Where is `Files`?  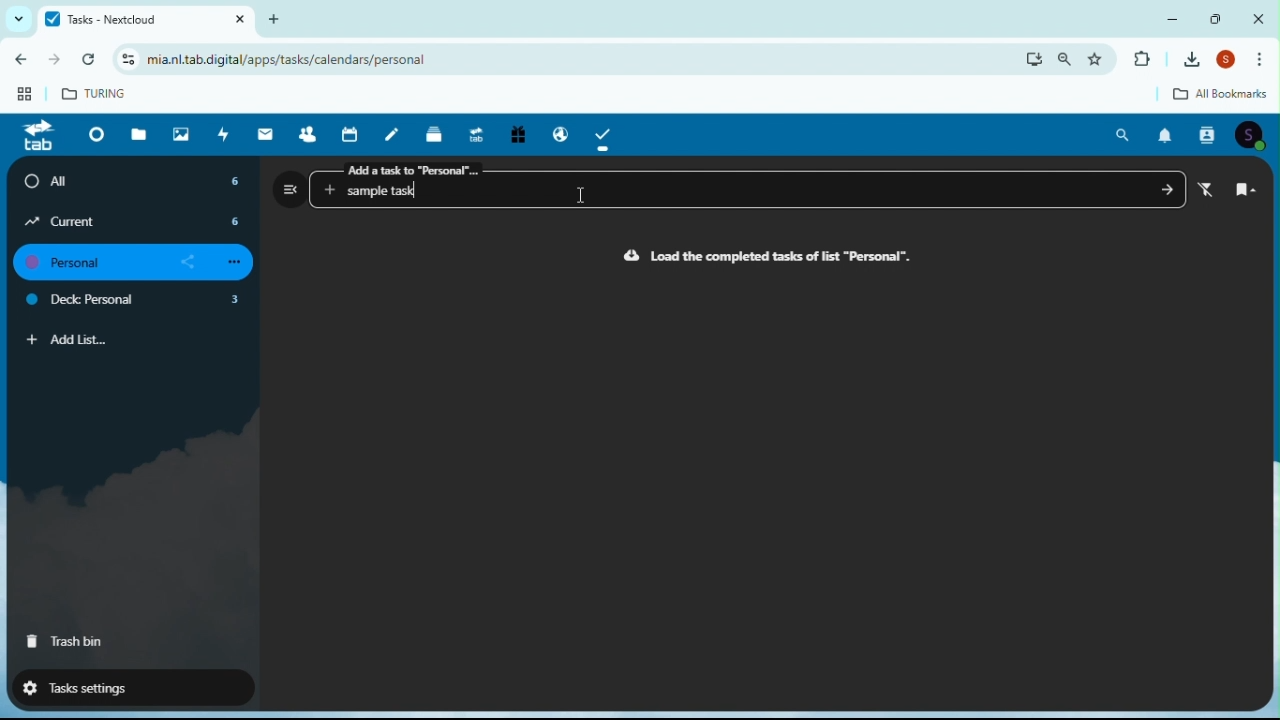
Files is located at coordinates (142, 133).